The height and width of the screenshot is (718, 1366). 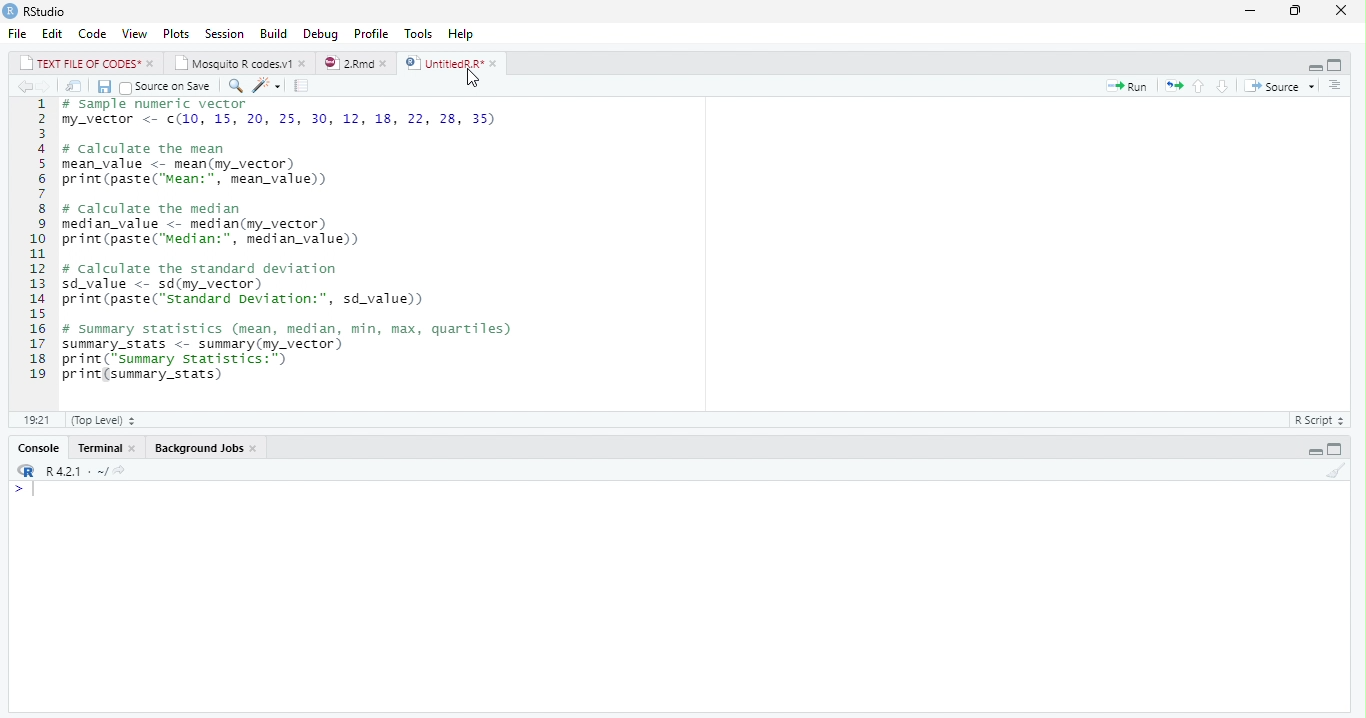 I want to click on Source, so click(x=1274, y=87).